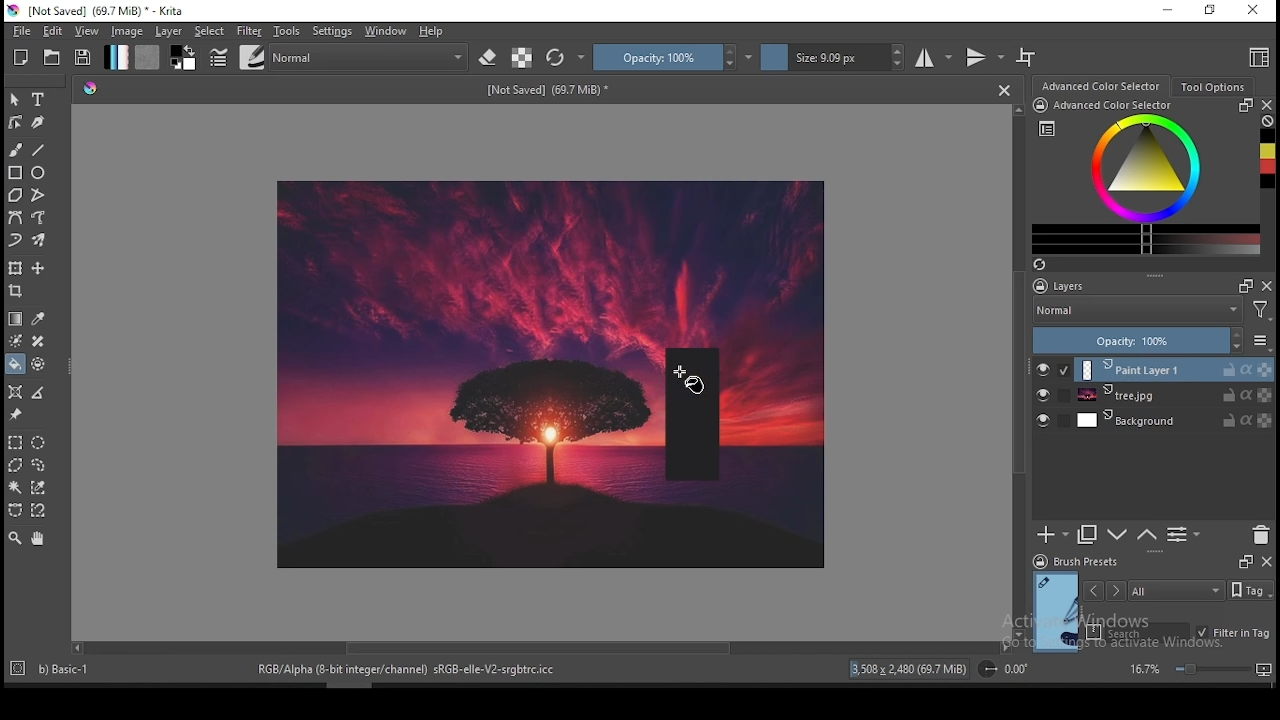 The height and width of the screenshot is (720, 1280). Describe the element at coordinates (1169, 12) in the screenshot. I see `minimize` at that location.